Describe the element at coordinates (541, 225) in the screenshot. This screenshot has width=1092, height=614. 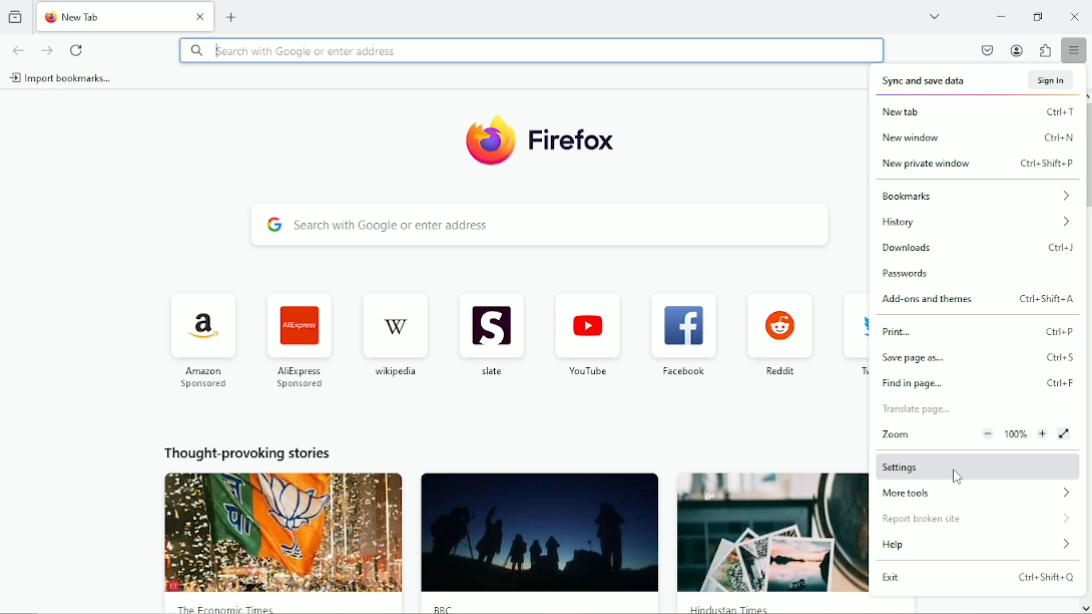
I see `Search with Google or enter address` at that location.